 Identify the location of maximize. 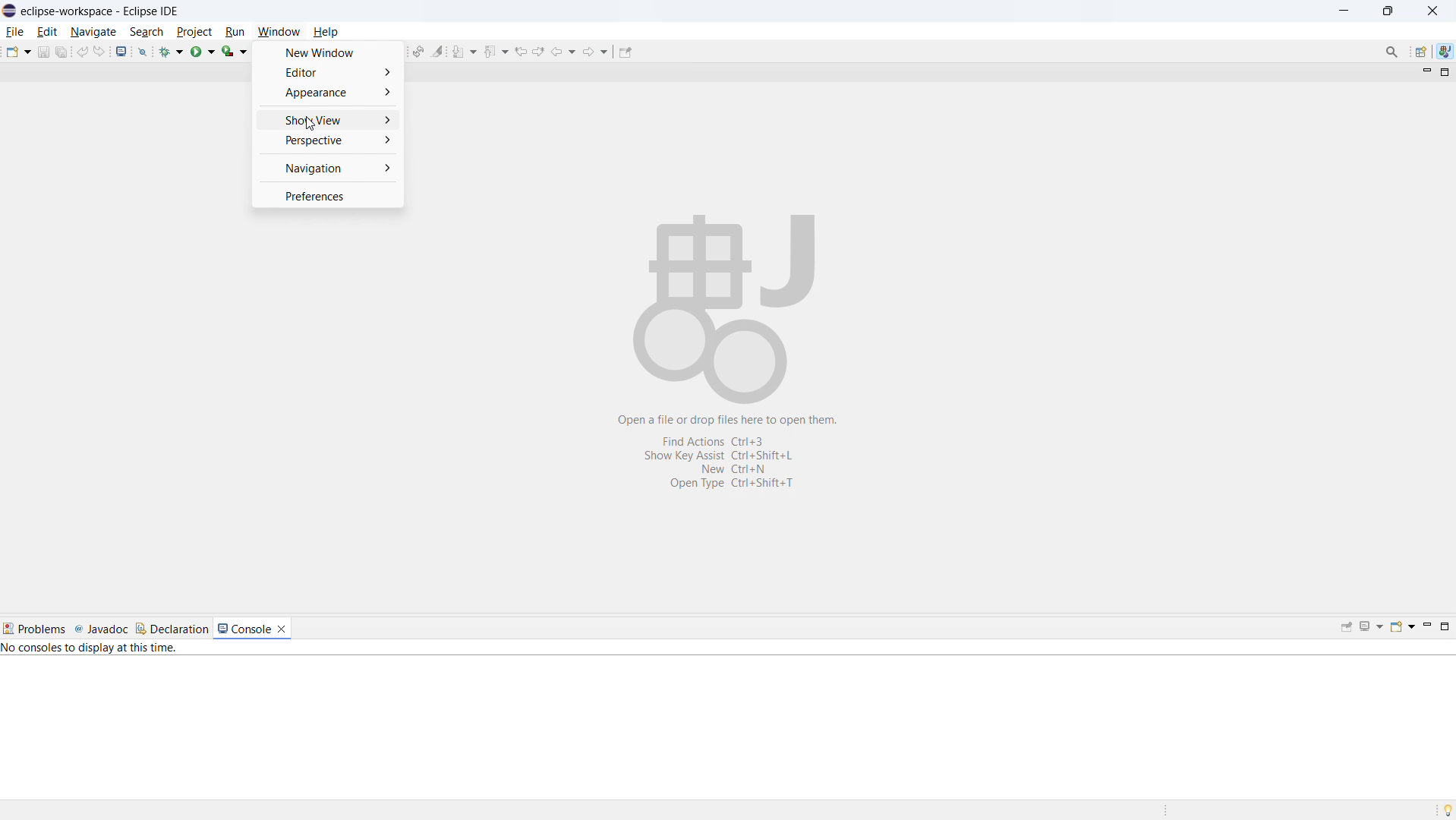
(1443, 73).